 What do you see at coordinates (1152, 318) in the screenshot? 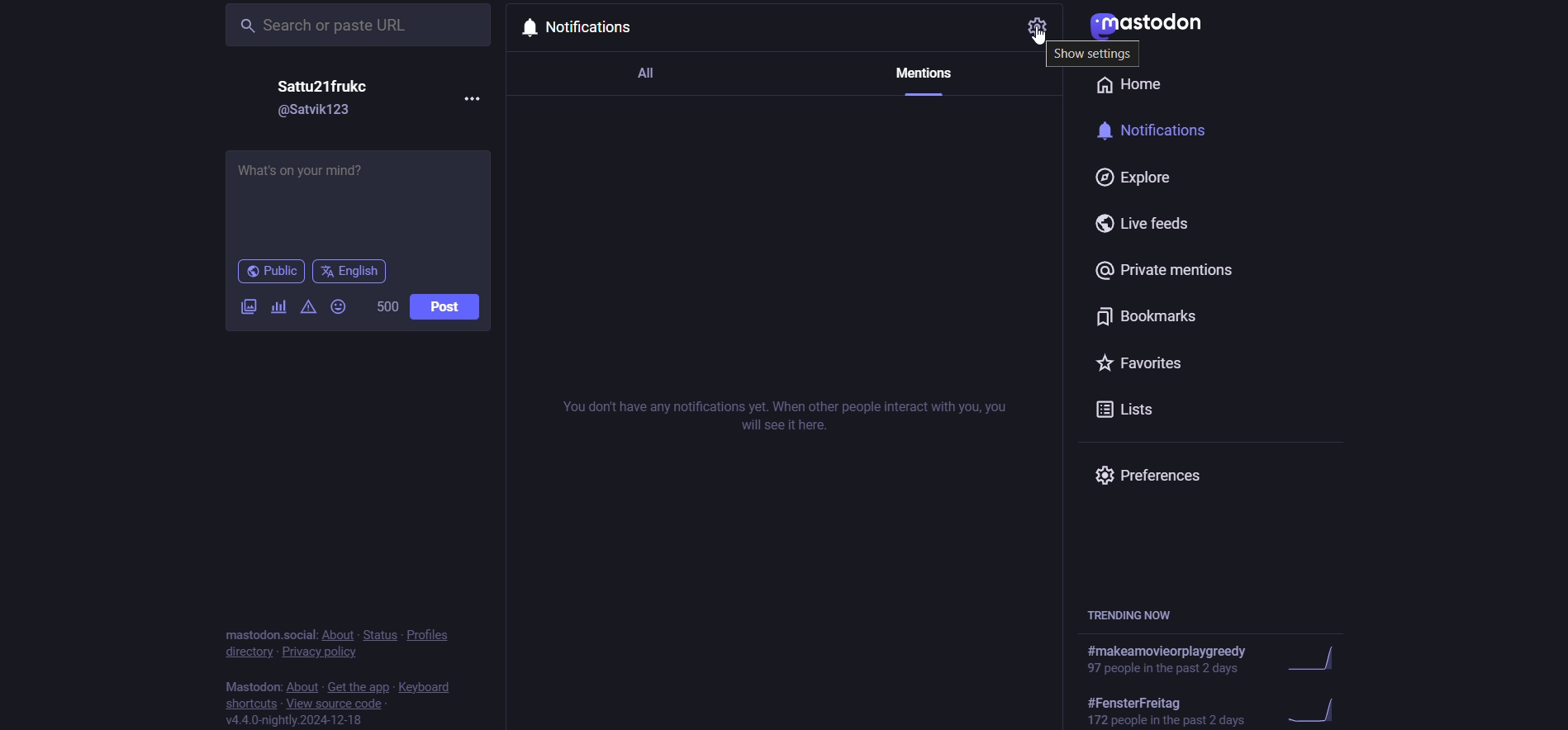
I see `Bookmarks` at bounding box center [1152, 318].